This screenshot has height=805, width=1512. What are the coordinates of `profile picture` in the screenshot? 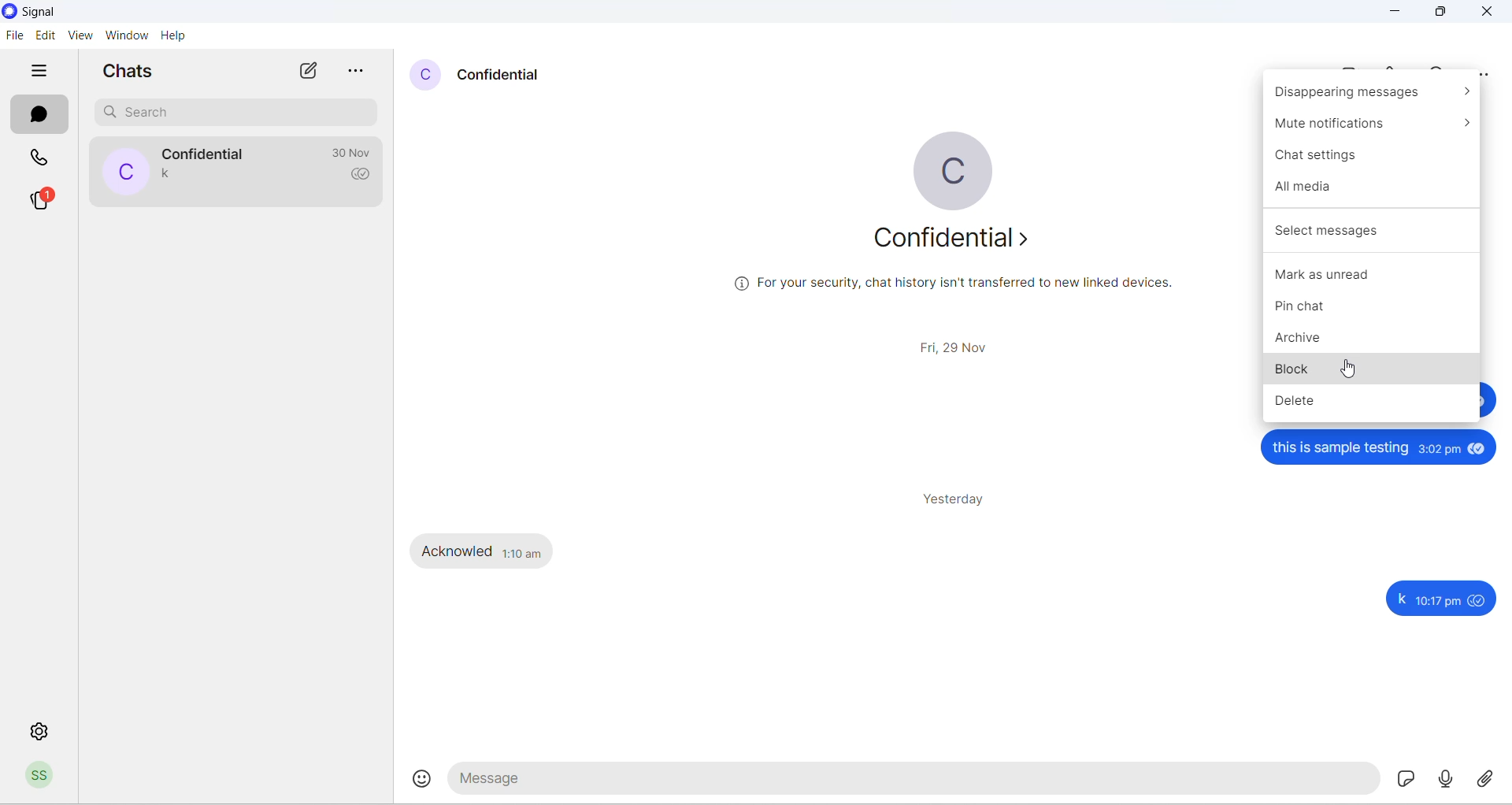 It's located at (426, 77).